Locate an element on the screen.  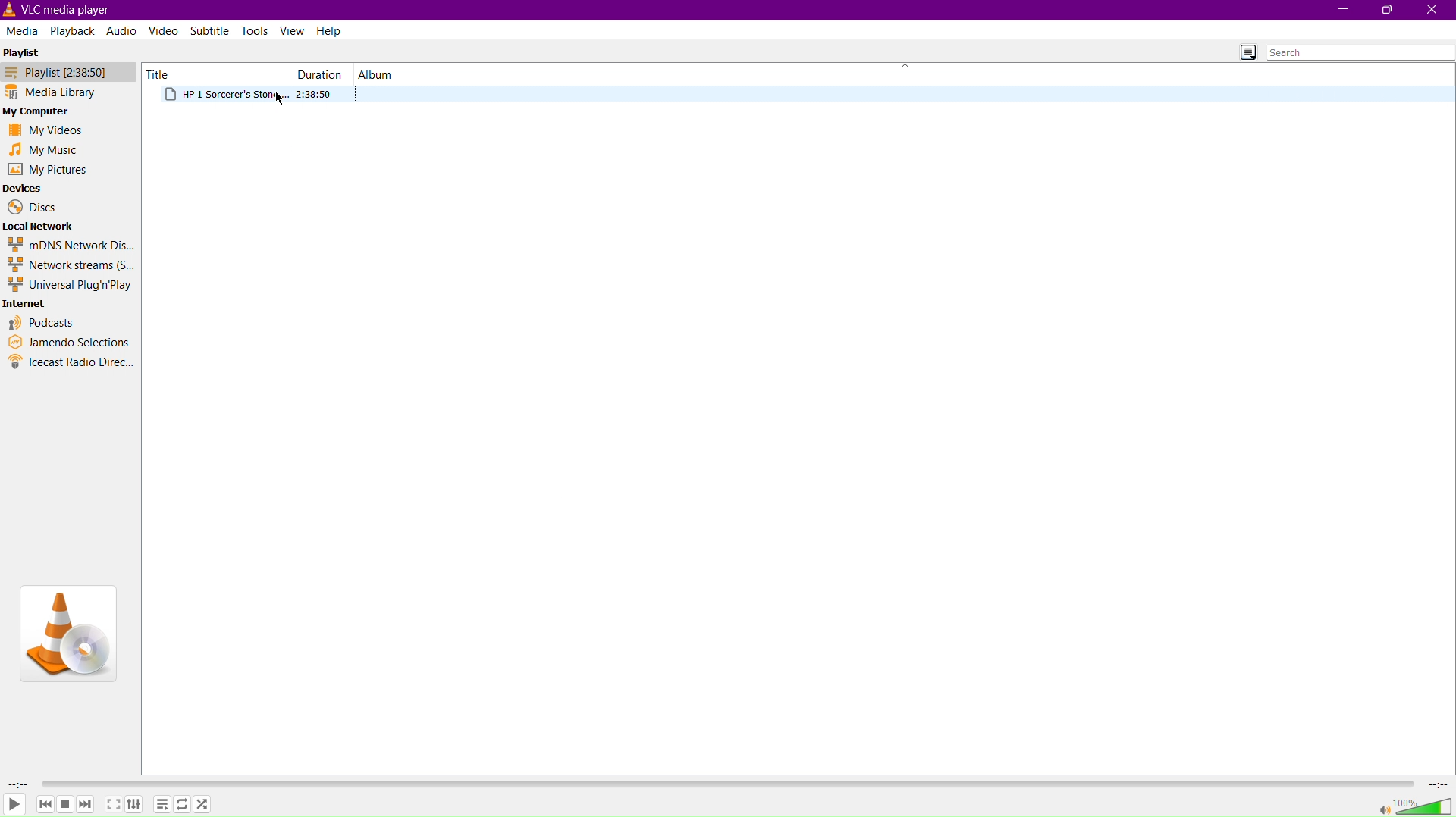
VLC Logo is located at coordinates (67, 634).